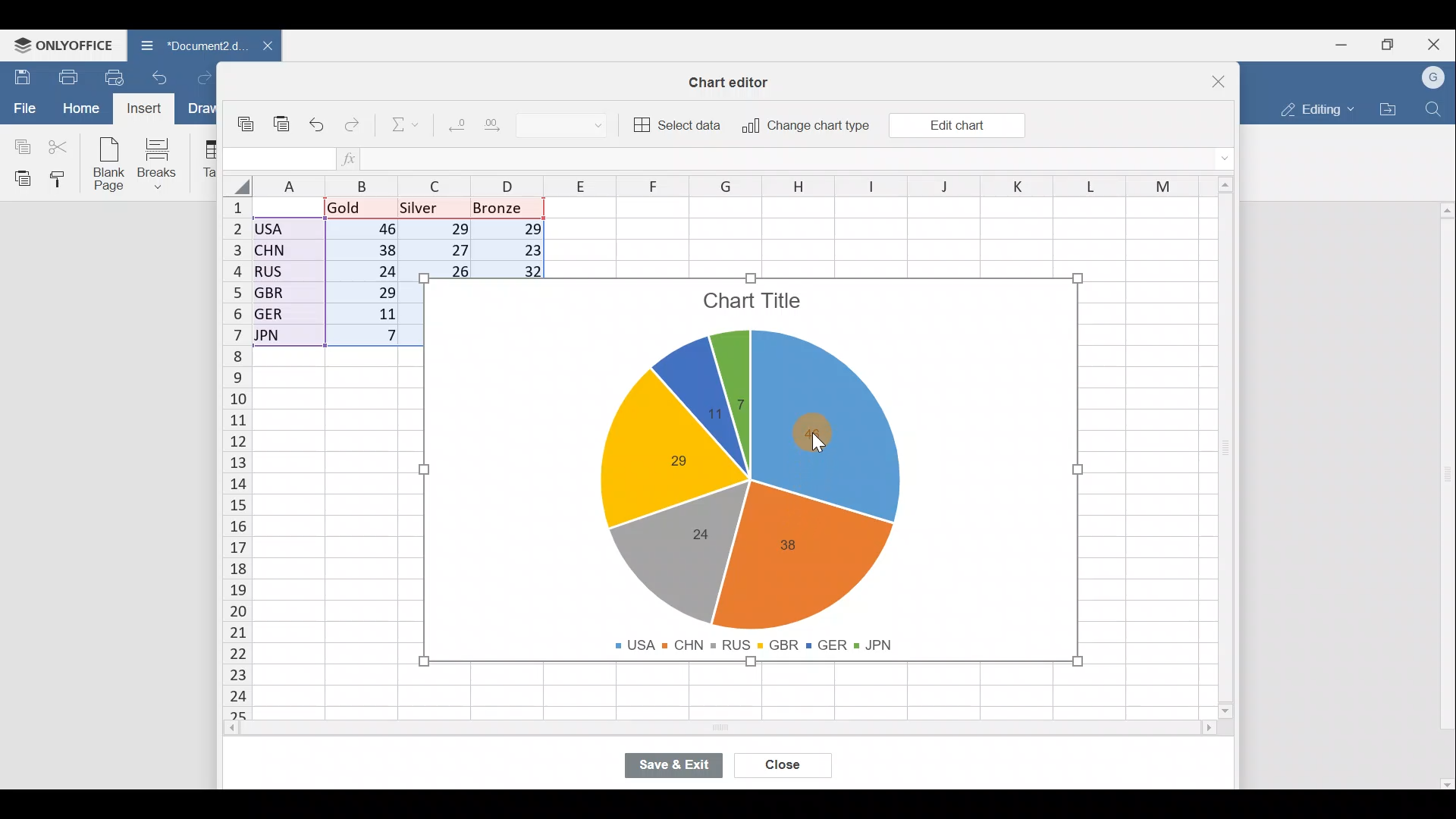 This screenshot has height=819, width=1456. Describe the element at coordinates (206, 110) in the screenshot. I see `Draw` at that location.